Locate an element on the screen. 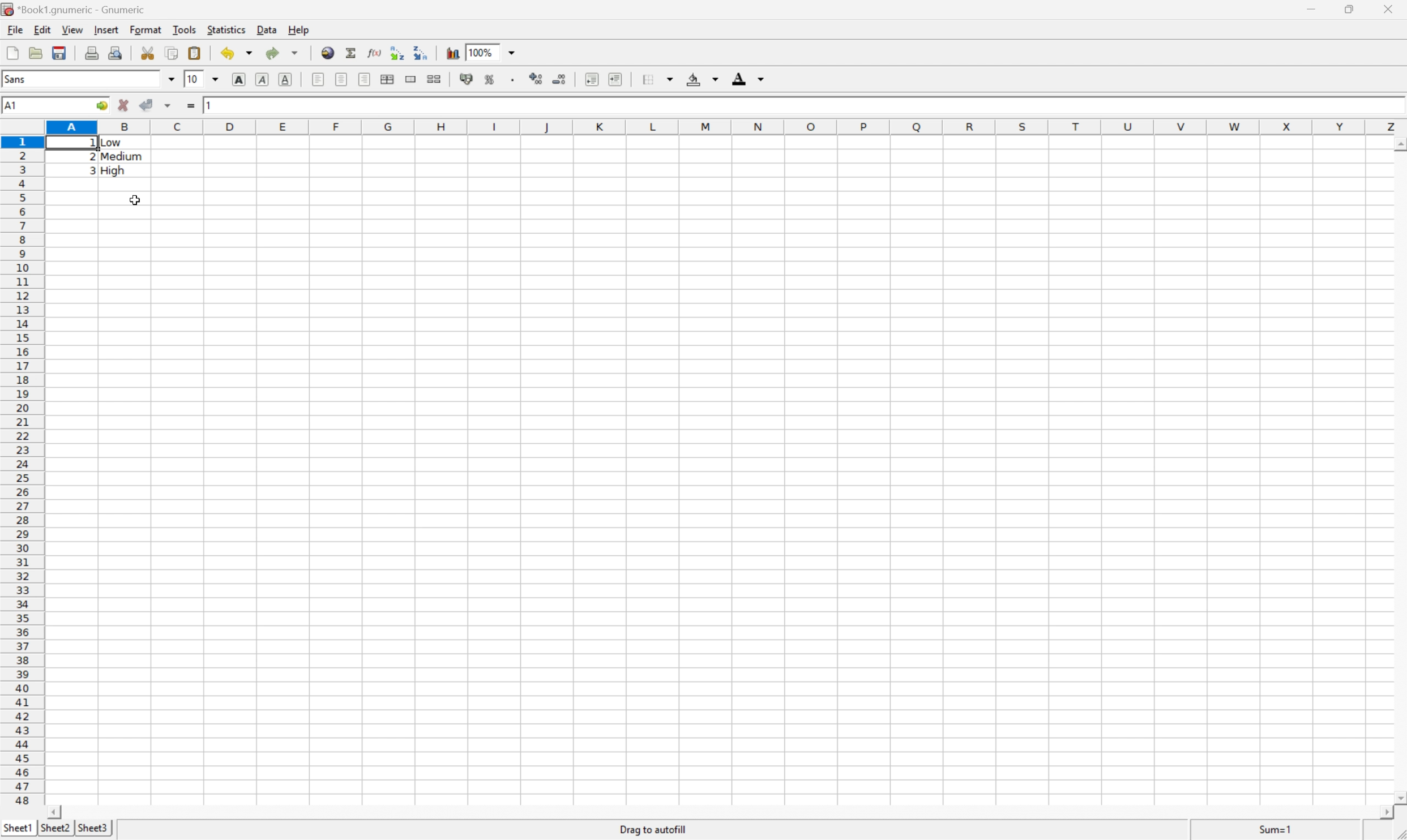 This screenshot has height=840, width=1407. Underline is located at coordinates (286, 78).